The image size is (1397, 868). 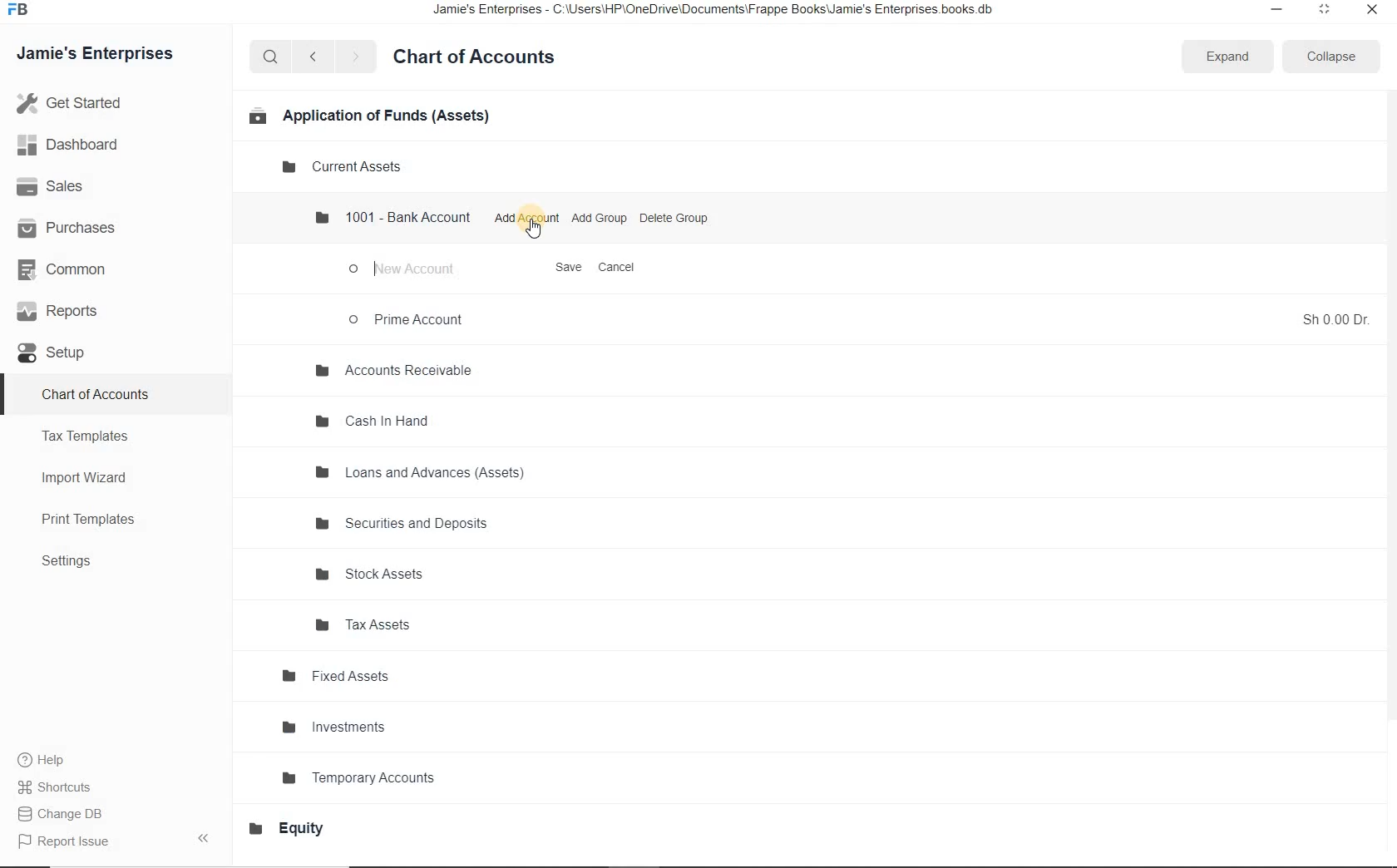 I want to click on Settings, so click(x=74, y=562).